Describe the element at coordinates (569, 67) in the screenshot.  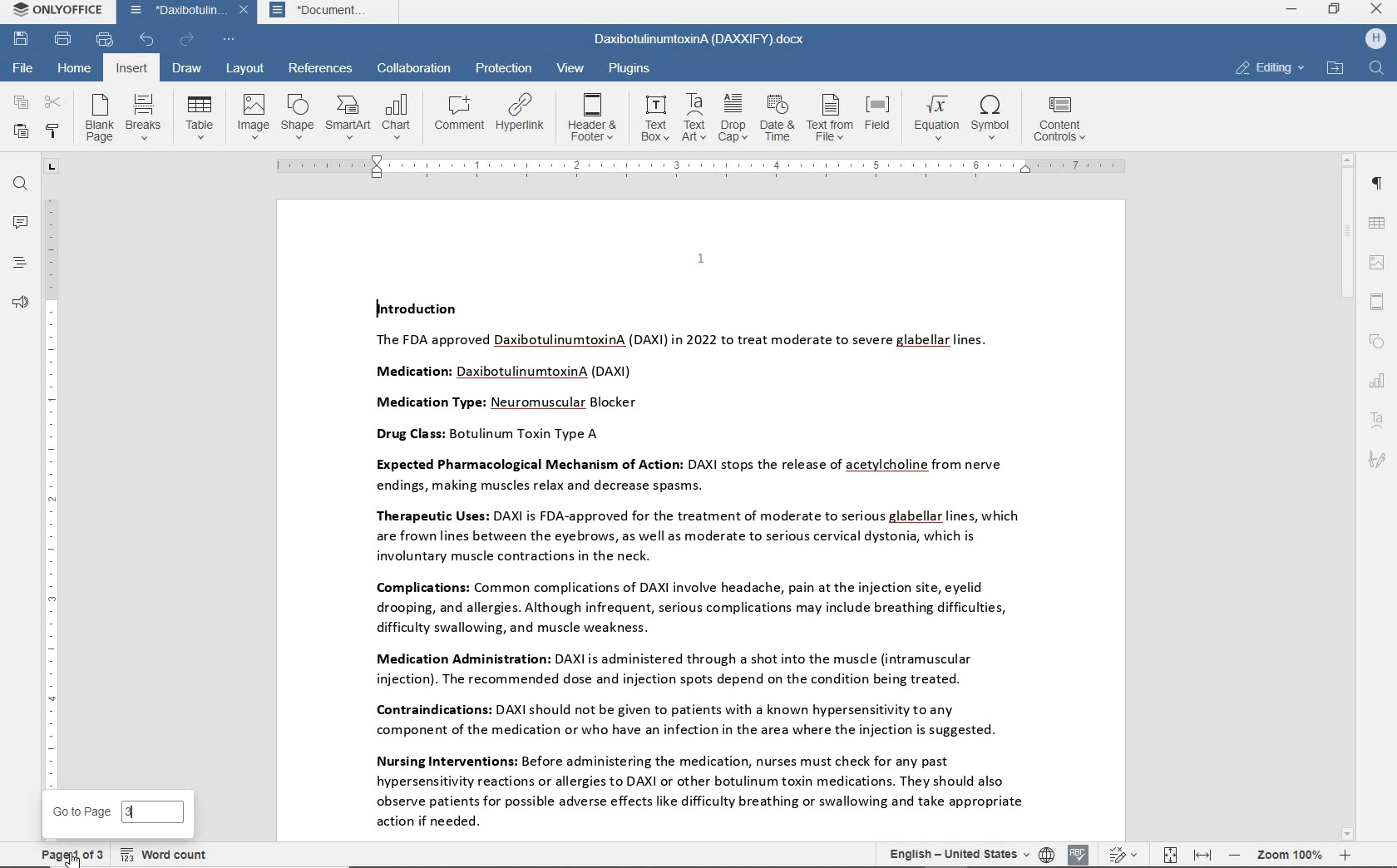
I see `view` at that location.